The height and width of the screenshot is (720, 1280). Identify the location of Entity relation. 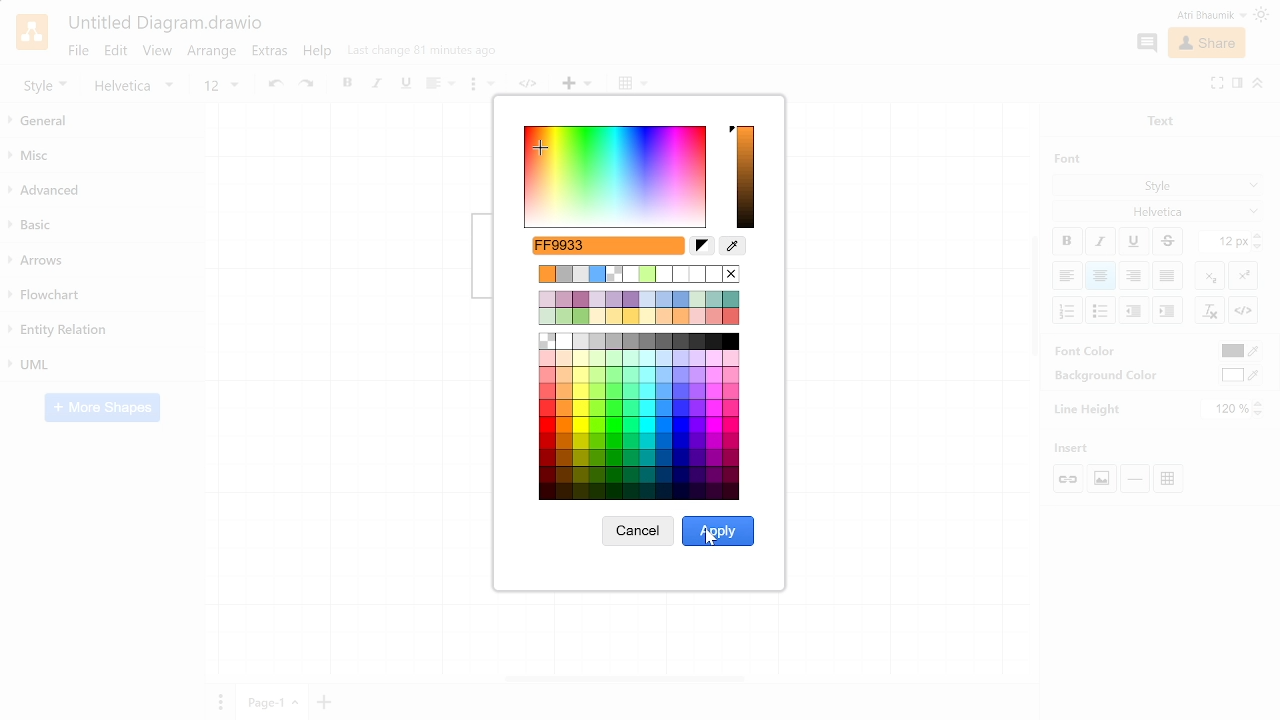
(100, 330).